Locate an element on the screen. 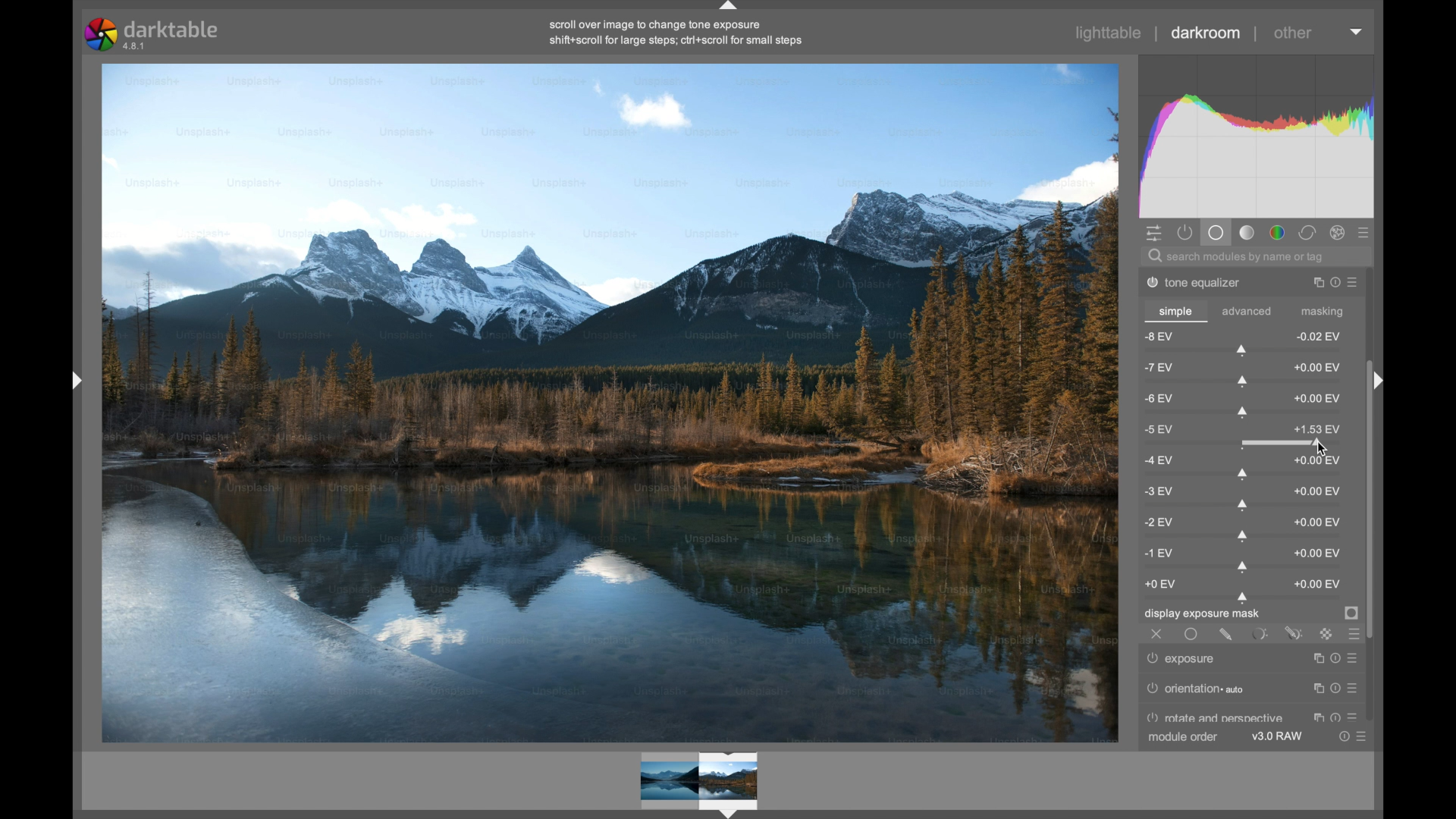  video preview is located at coordinates (608, 402).